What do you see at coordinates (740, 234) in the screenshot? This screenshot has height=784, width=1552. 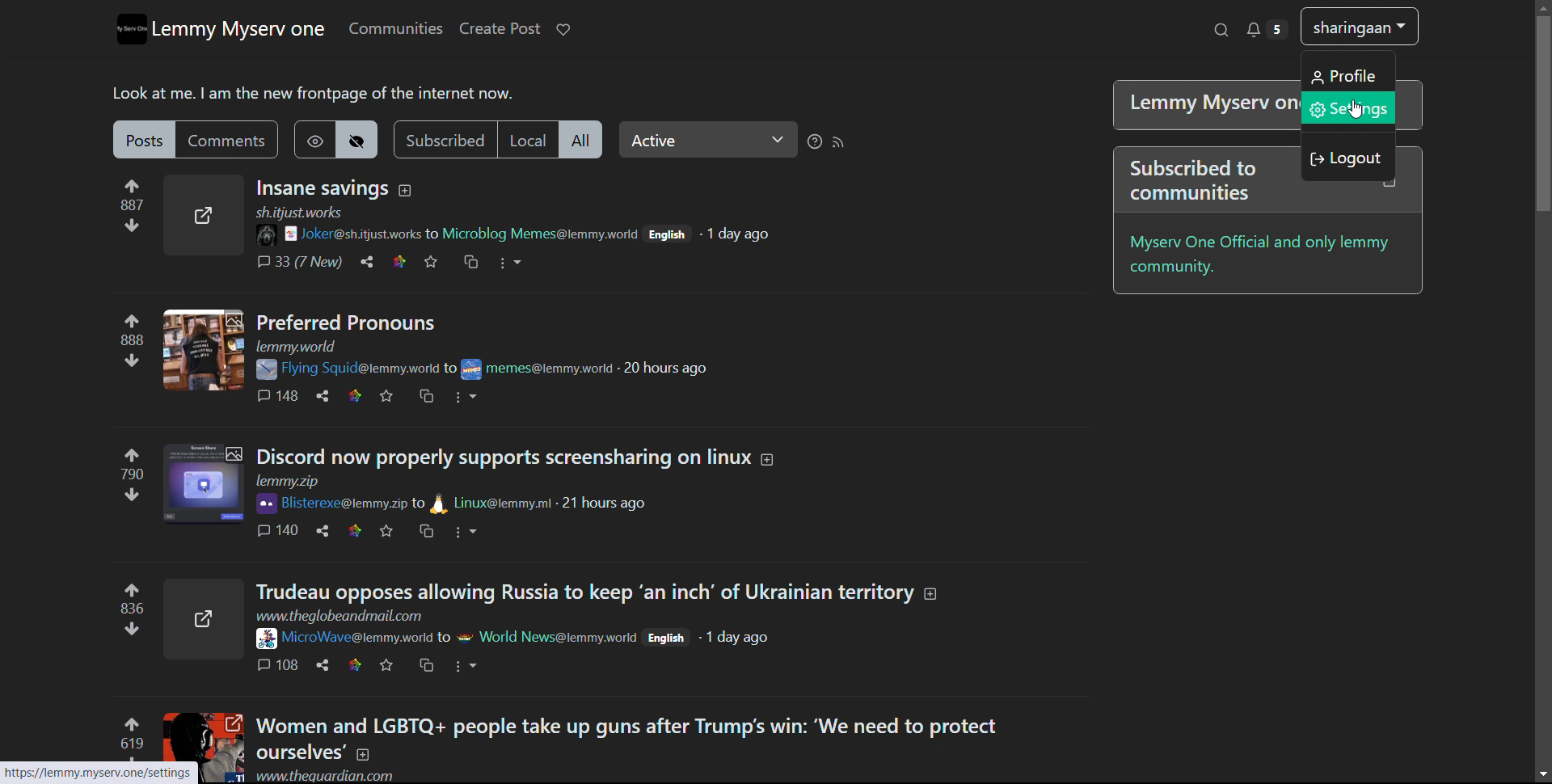 I see `1 day ago` at bounding box center [740, 234].